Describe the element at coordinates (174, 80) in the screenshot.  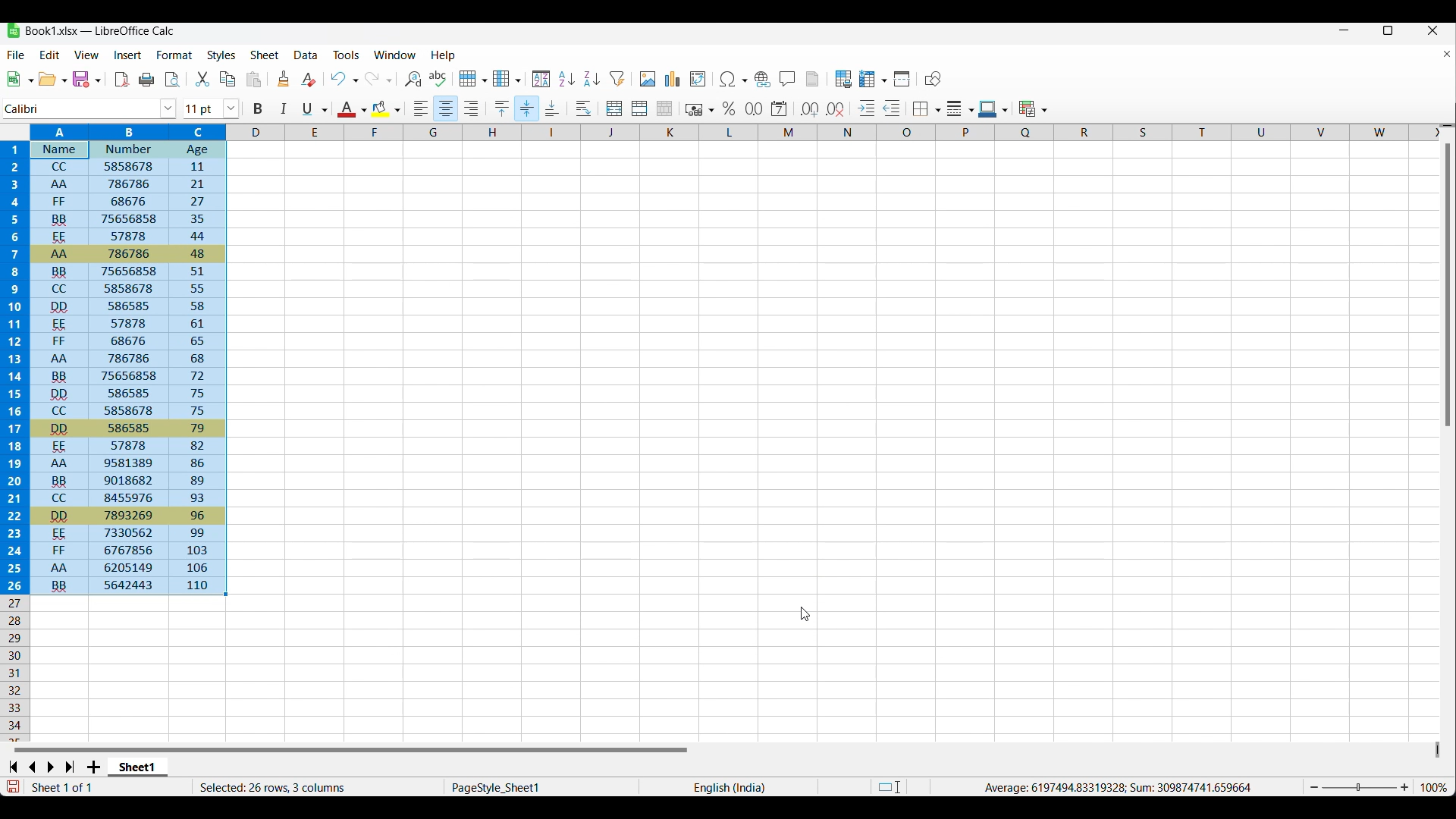
I see `Toggle print preview` at that location.